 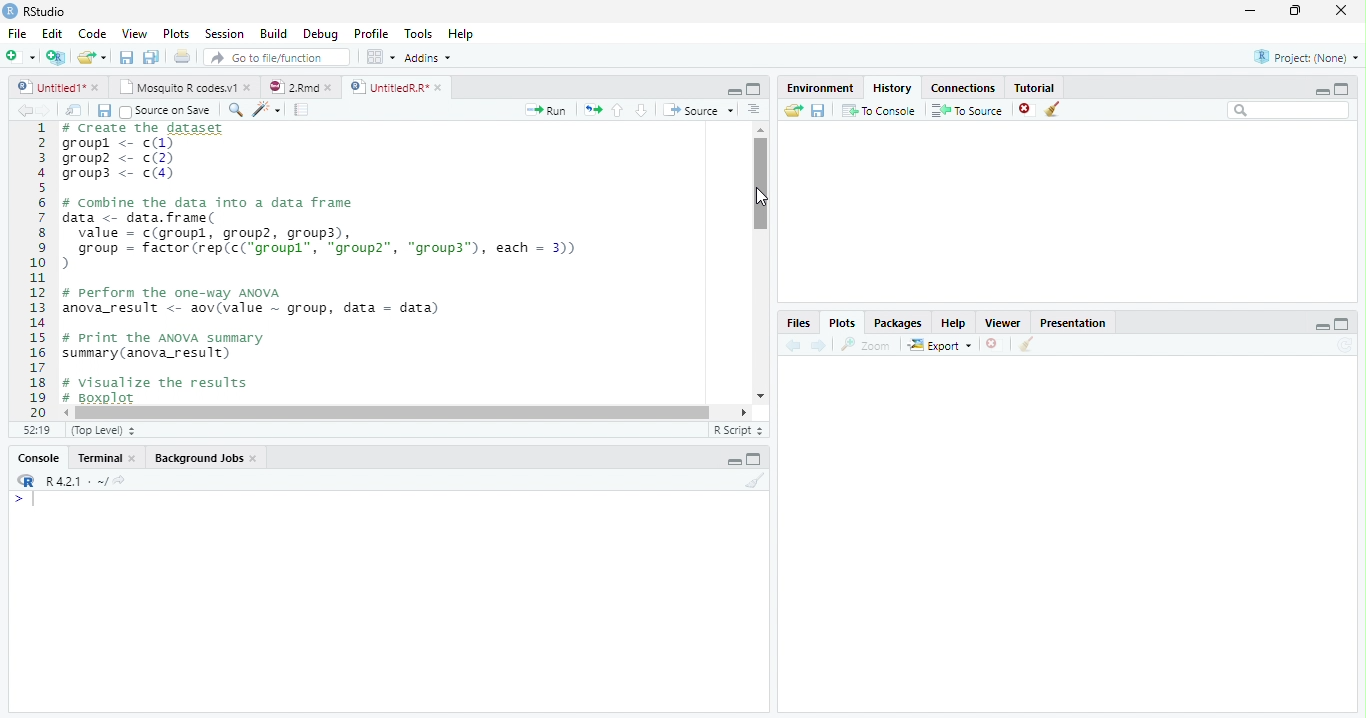 What do you see at coordinates (993, 345) in the screenshot?
I see `Delete` at bounding box center [993, 345].